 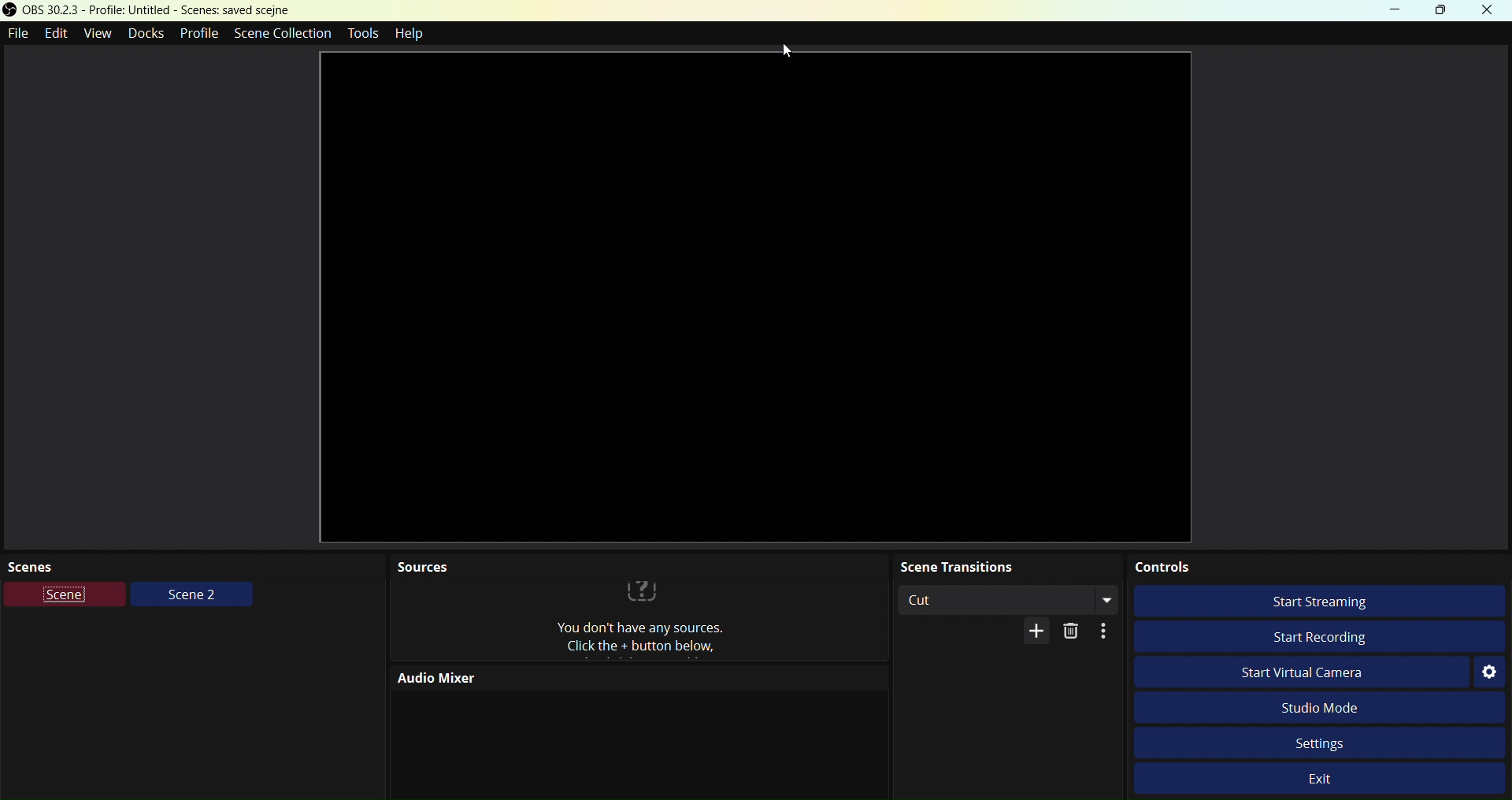 What do you see at coordinates (49, 564) in the screenshot?
I see `Scenes` at bounding box center [49, 564].